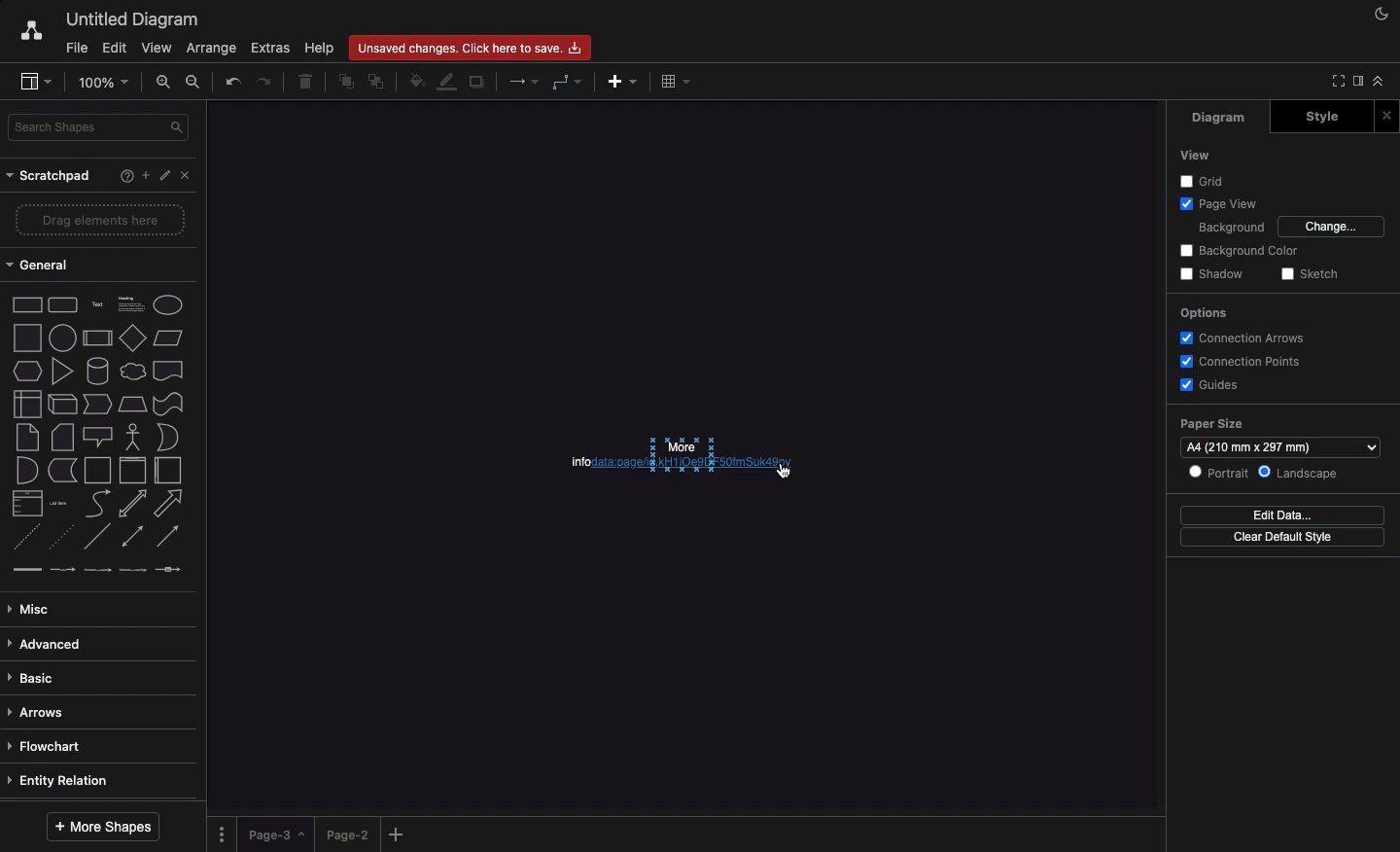 This screenshot has height=852, width=1400. Describe the element at coordinates (168, 470) in the screenshot. I see `horizontal container` at that location.